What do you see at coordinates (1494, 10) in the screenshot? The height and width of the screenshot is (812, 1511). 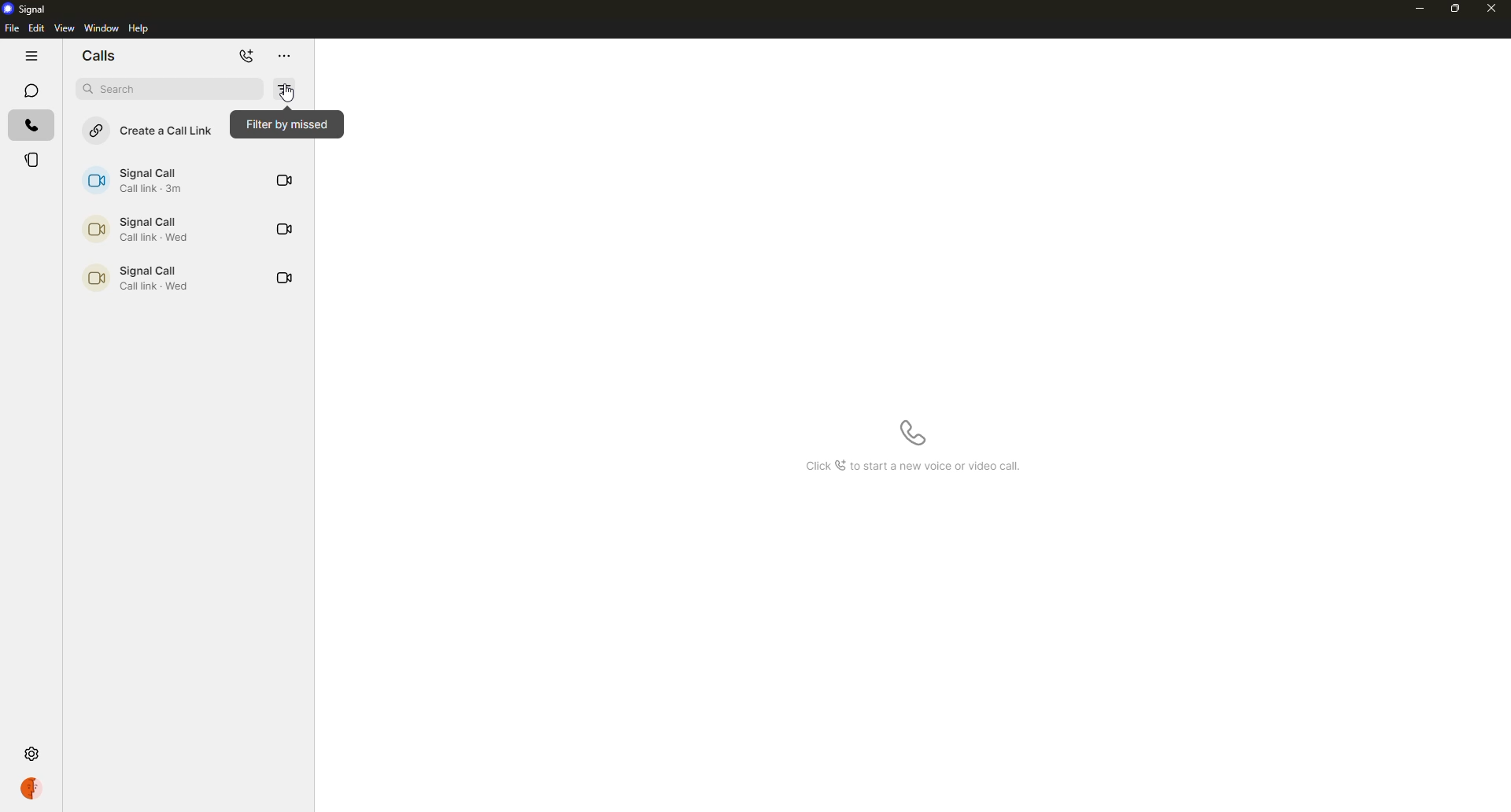 I see `close` at bounding box center [1494, 10].